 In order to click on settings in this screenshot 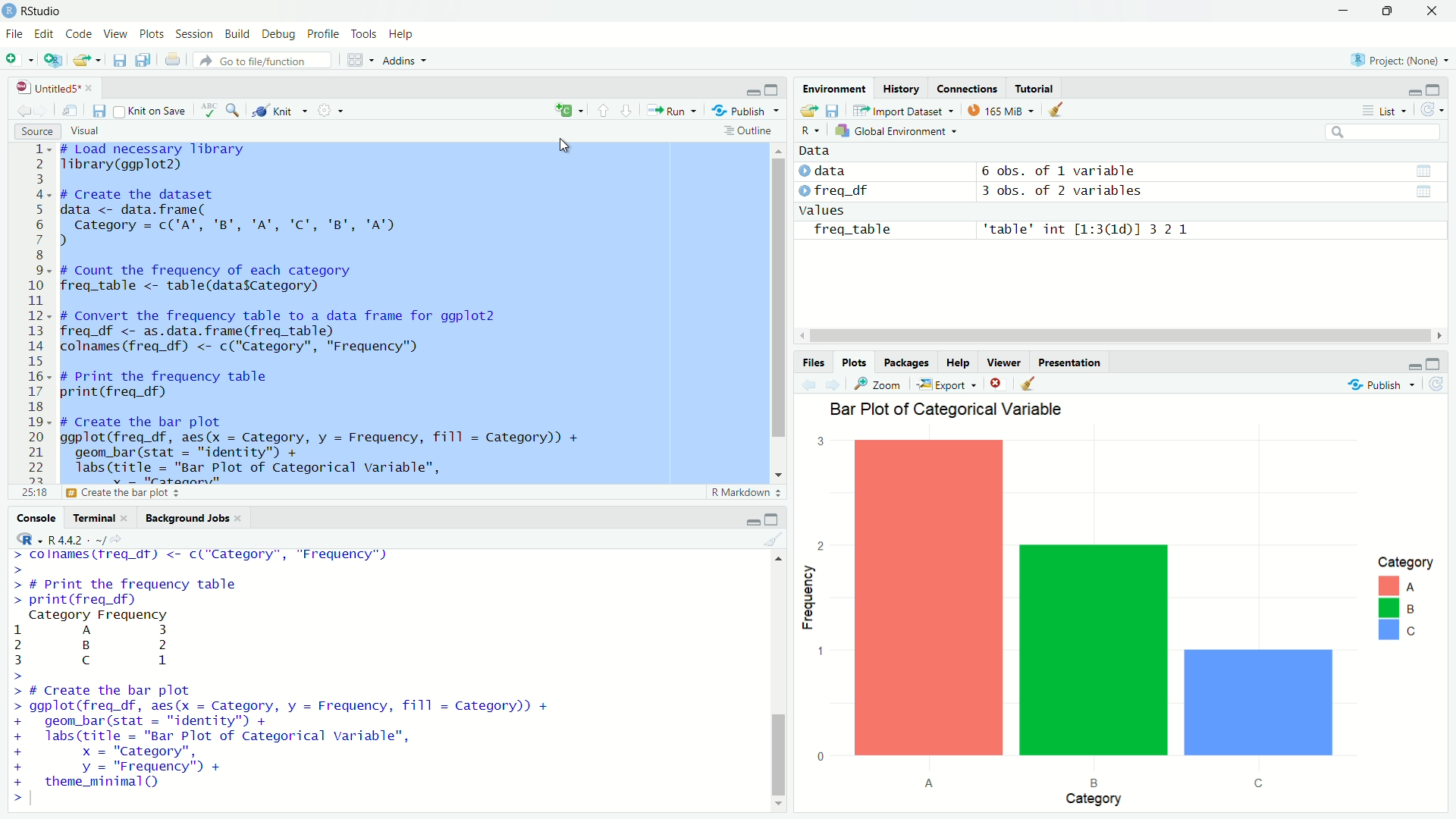, I will do `click(329, 110)`.